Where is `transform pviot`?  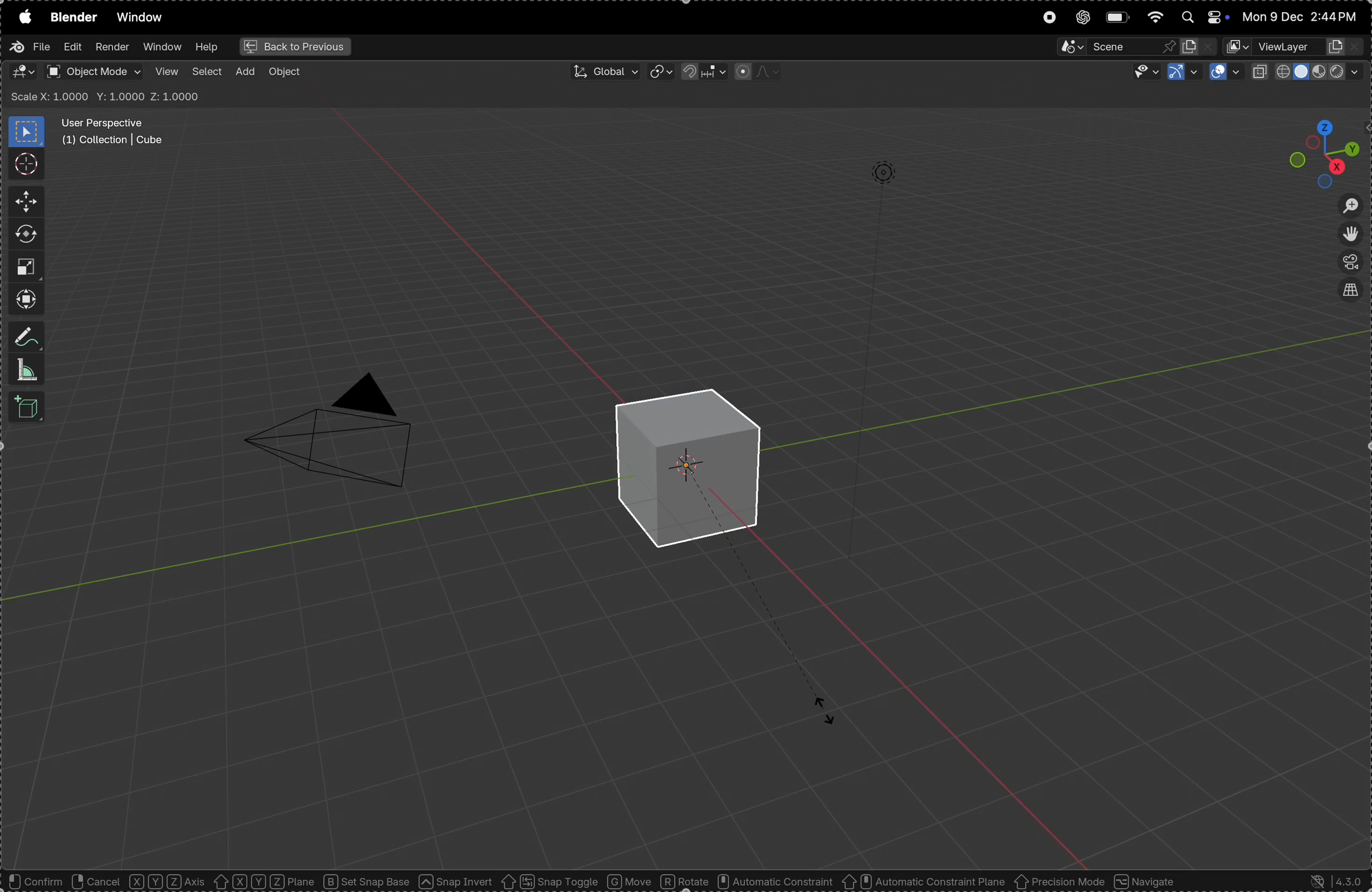
transform pviot is located at coordinates (659, 73).